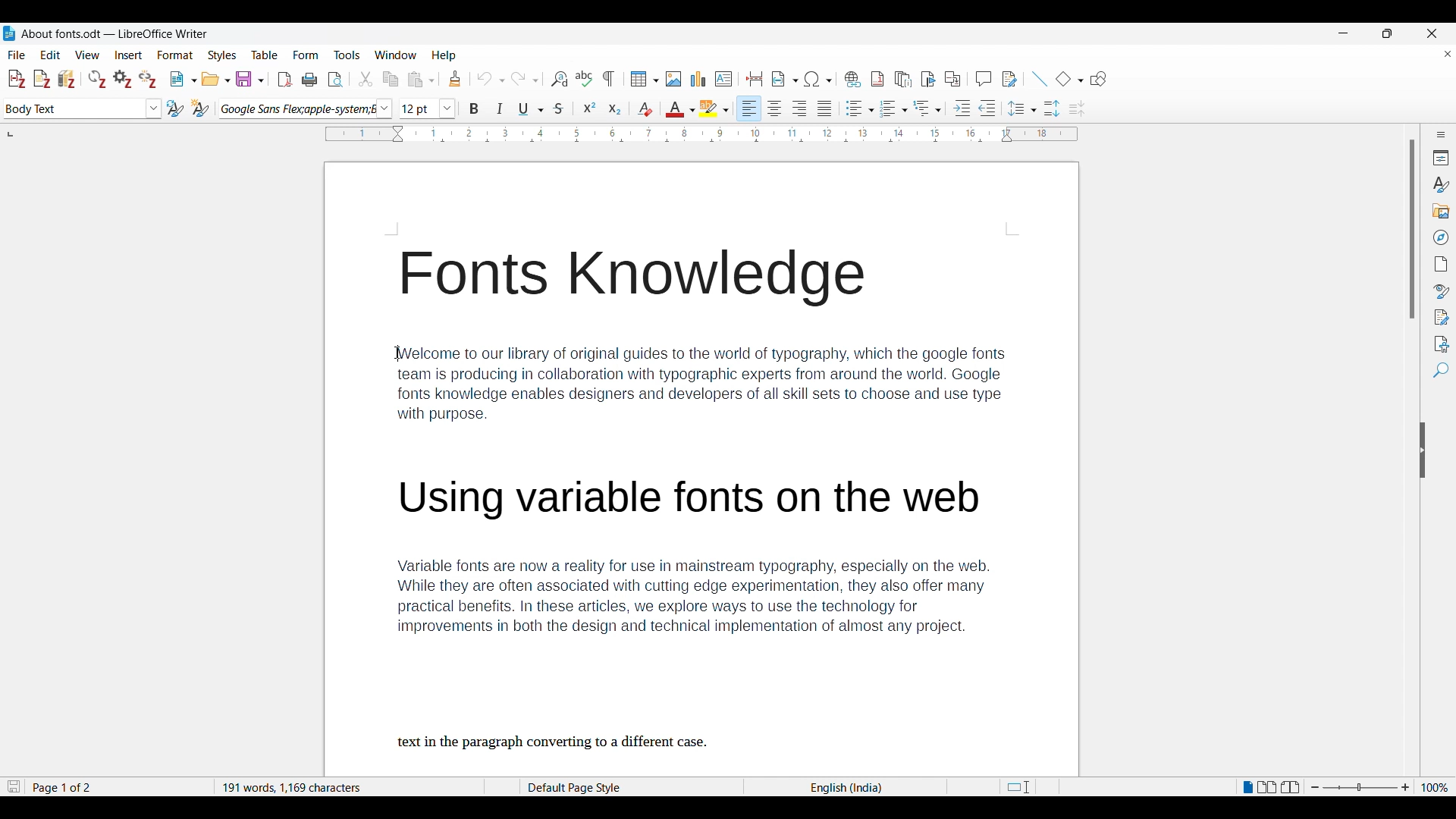 The image size is (1456, 819). What do you see at coordinates (636, 278) in the screenshot?
I see `Fonts Knowledge` at bounding box center [636, 278].